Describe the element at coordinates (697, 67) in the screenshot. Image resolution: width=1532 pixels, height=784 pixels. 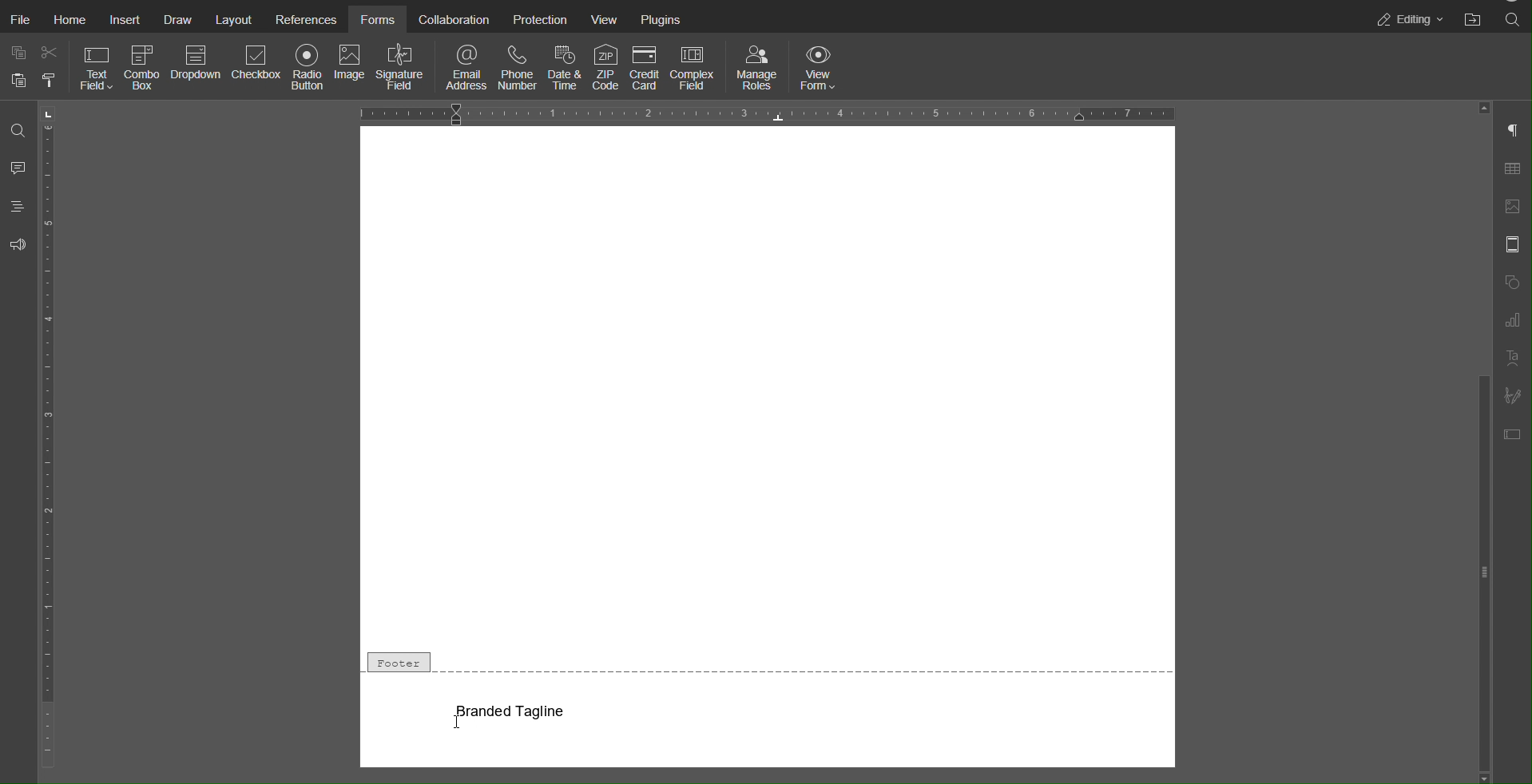
I see `Complex Field` at that location.